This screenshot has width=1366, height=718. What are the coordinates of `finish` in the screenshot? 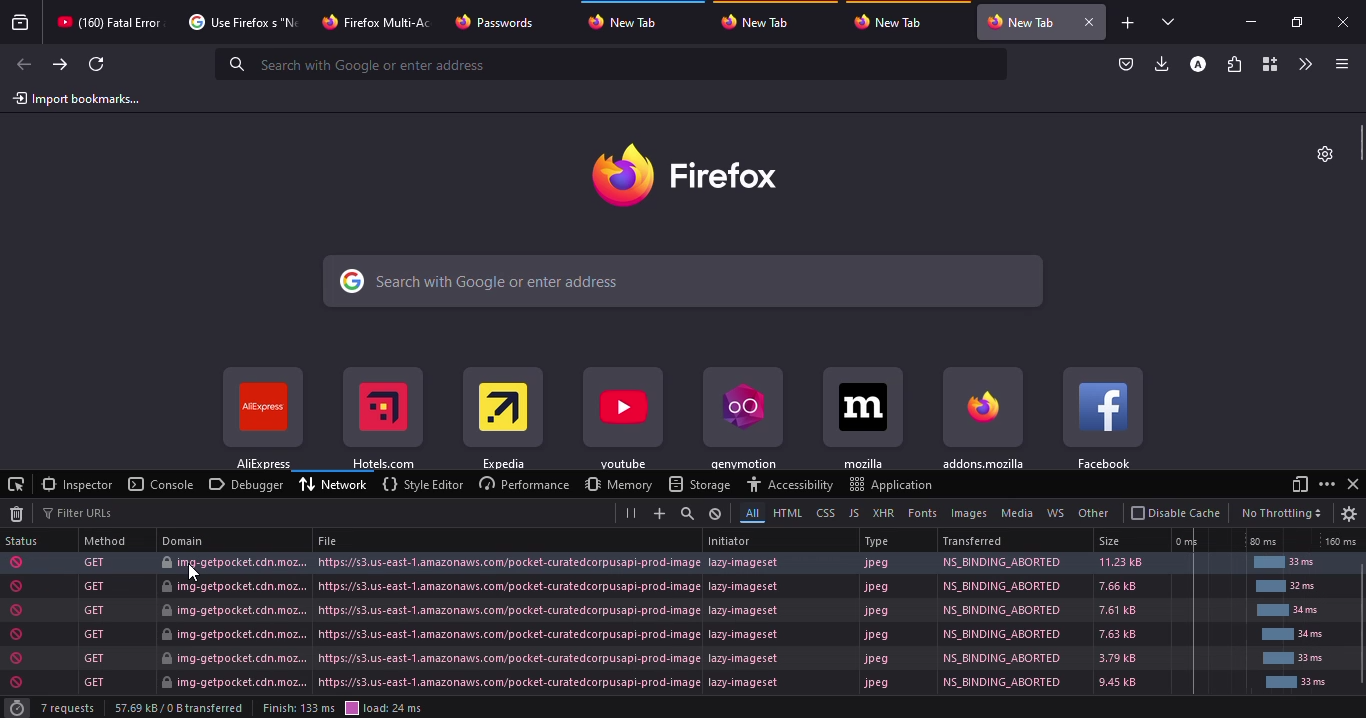 It's located at (298, 707).